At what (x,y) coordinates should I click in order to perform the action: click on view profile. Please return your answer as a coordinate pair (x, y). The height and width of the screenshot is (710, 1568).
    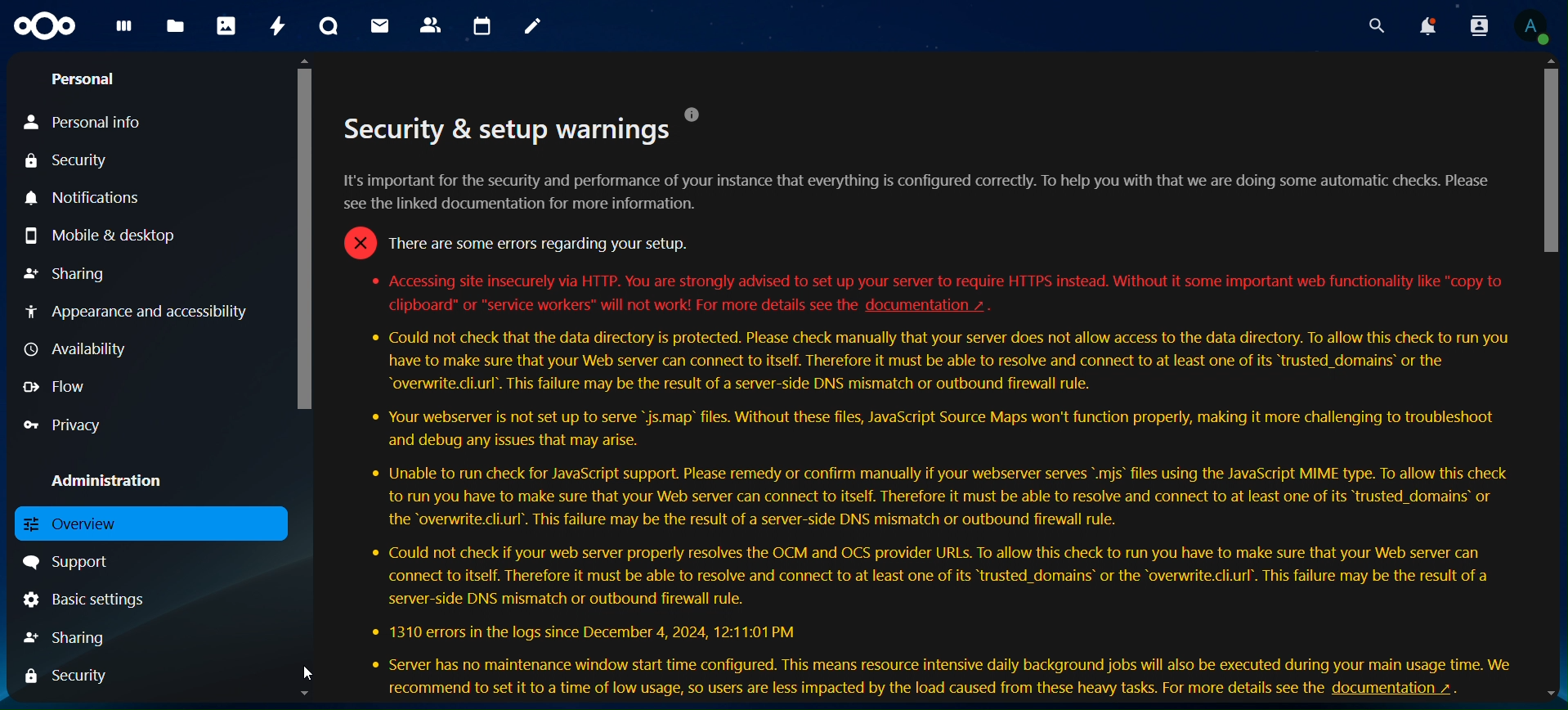
    Looking at the image, I should click on (1530, 28).